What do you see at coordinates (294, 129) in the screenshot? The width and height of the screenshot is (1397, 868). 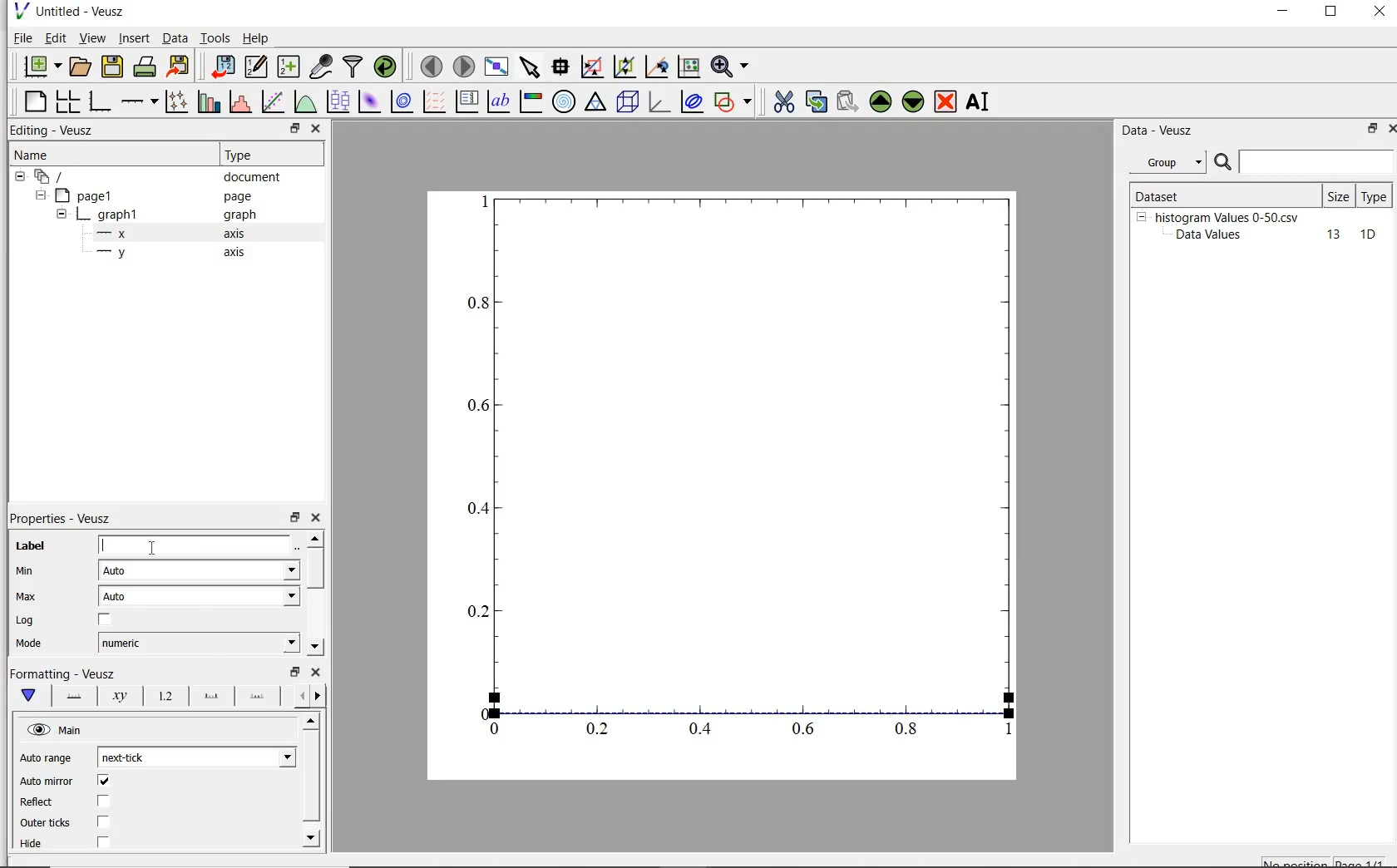 I see `restore down` at bounding box center [294, 129].